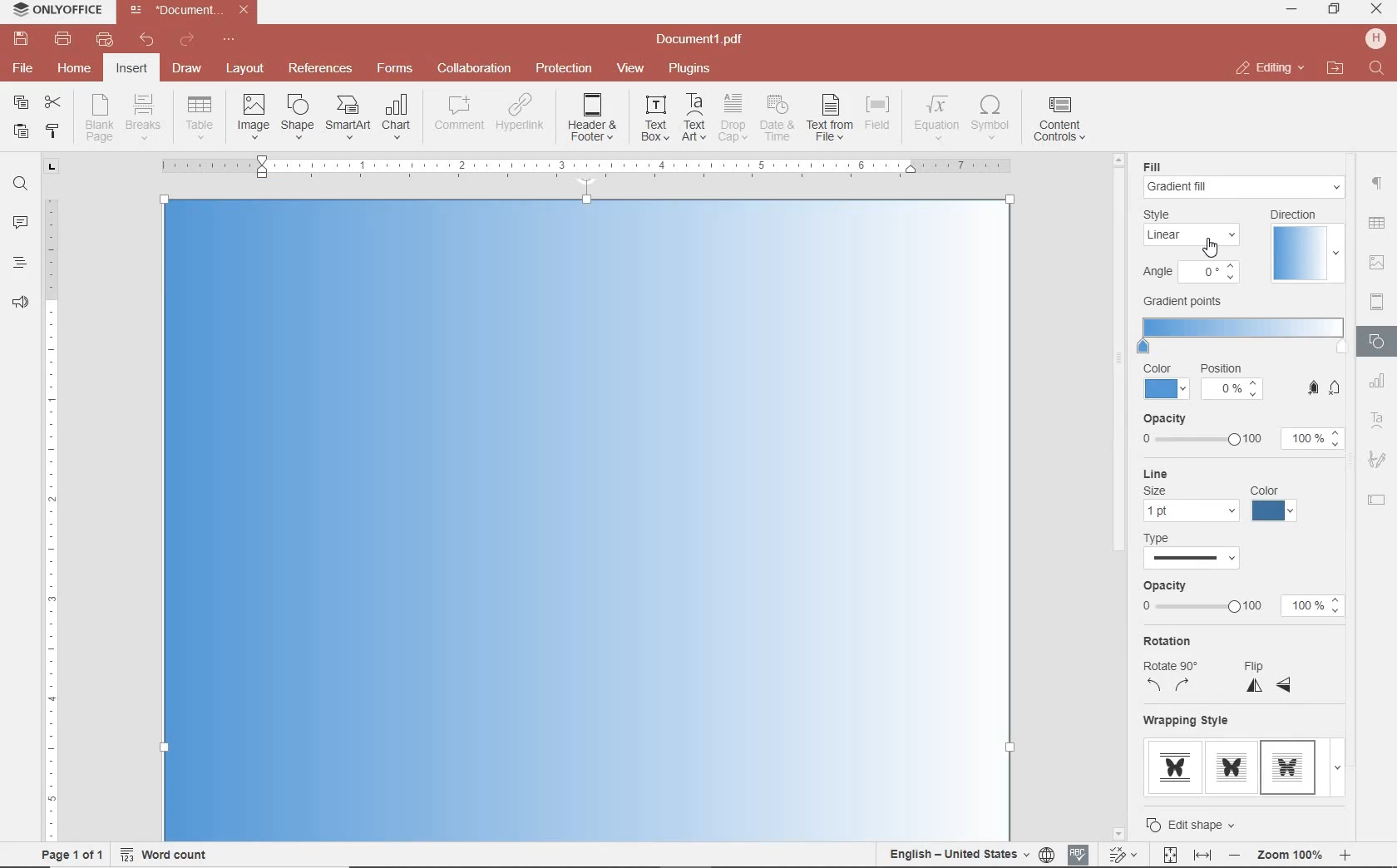  What do you see at coordinates (1195, 273) in the screenshot?
I see `PICTURE OR TEXTURE` at bounding box center [1195, 273].